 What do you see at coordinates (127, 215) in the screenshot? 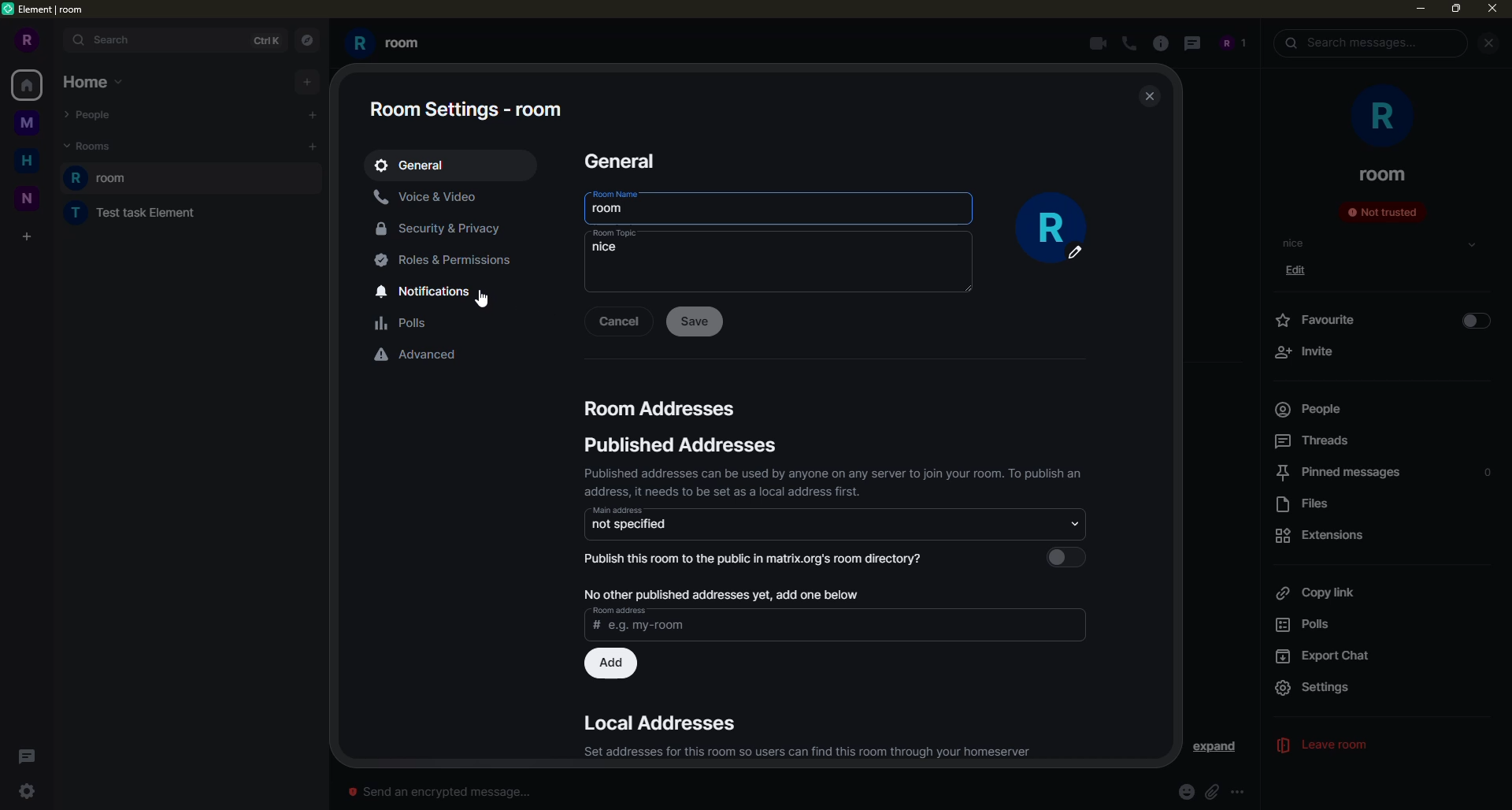
I see `test task element` at bounding box center [127, 215].